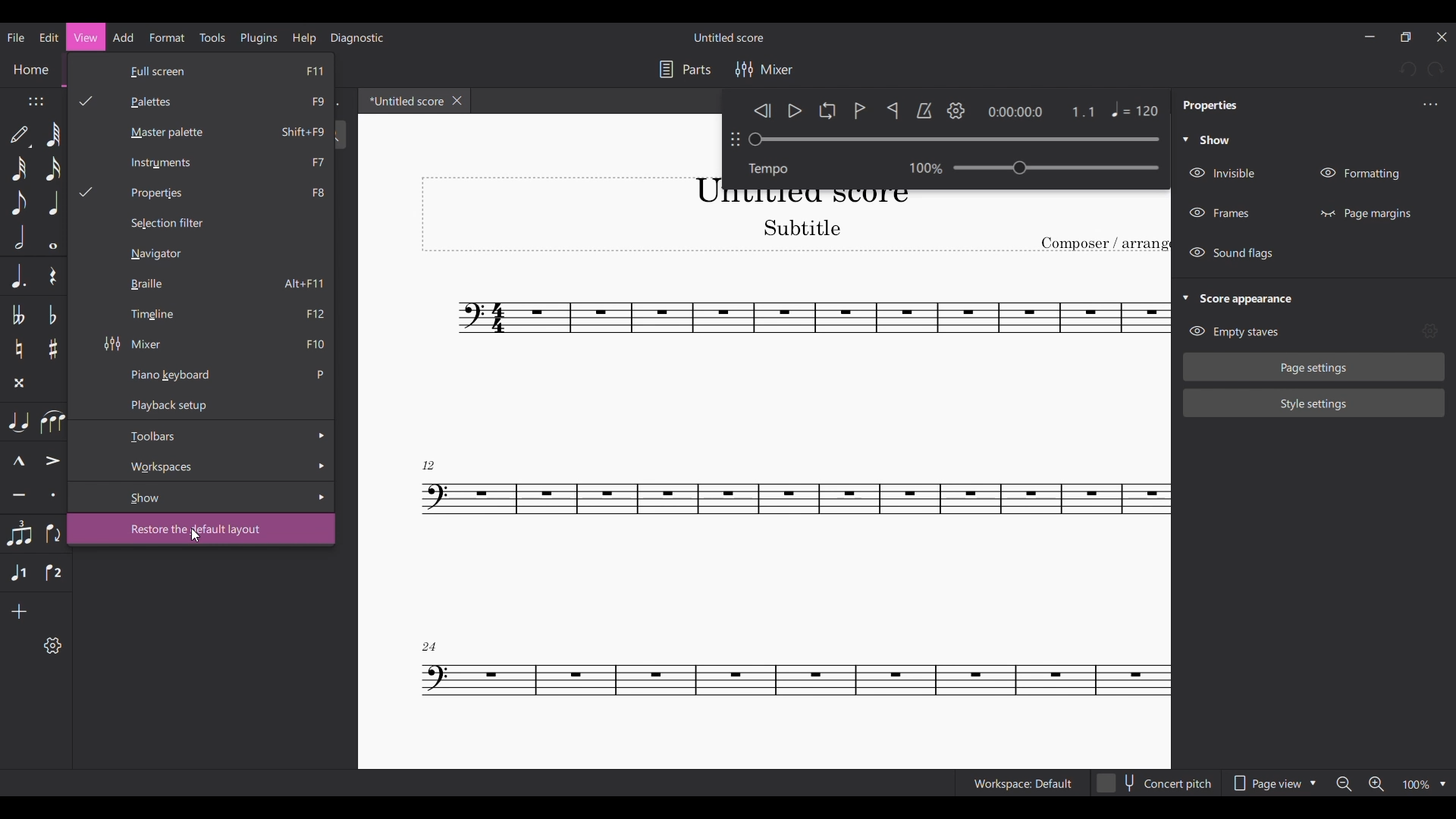 The height and width of the screenshot is (819, 1456). Describe the element at coordinates (17, 461) in the screenshot. I see `Marcato` at that location.